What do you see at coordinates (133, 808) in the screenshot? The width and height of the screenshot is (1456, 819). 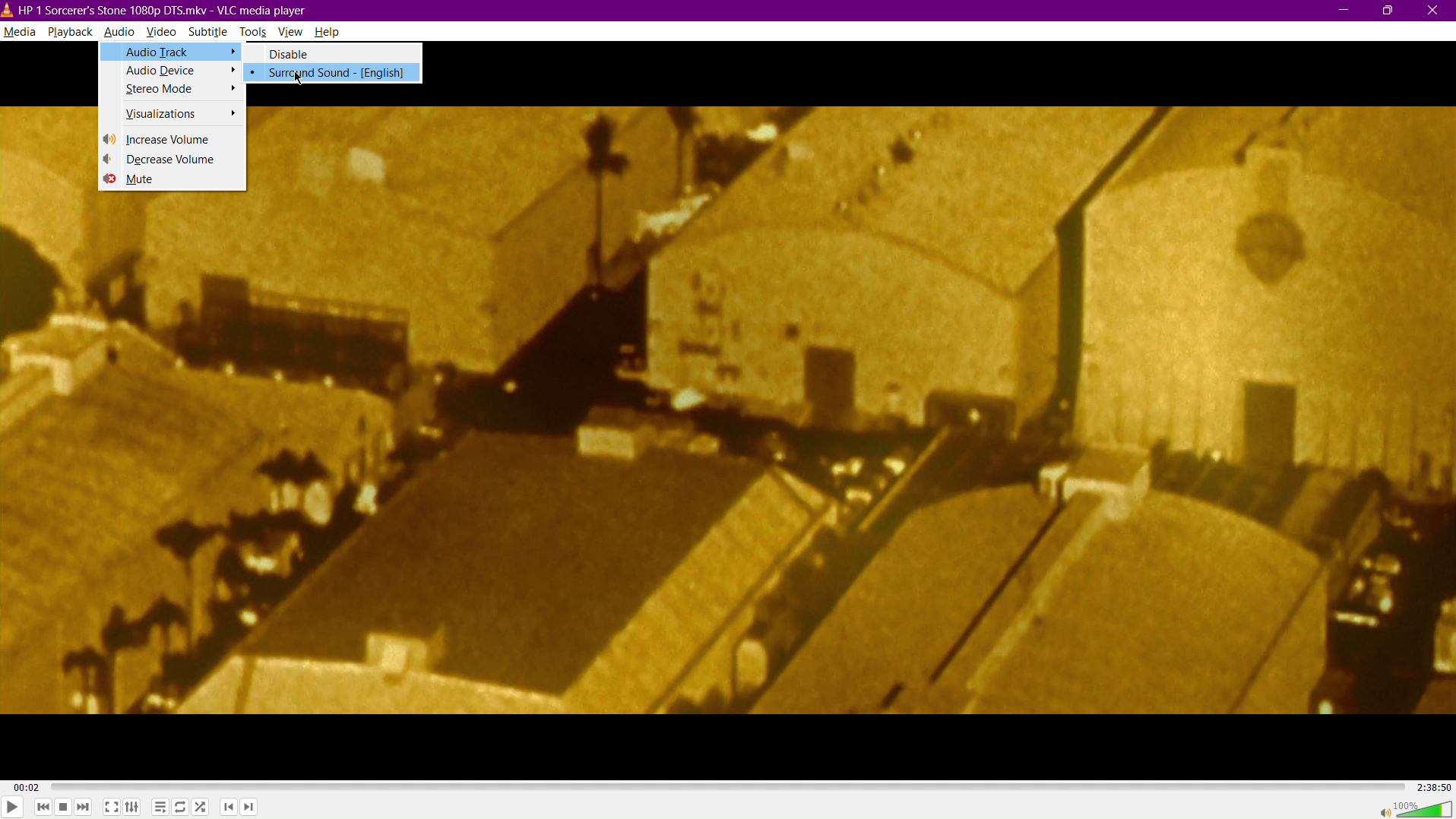 I see `Advanced Settings` at bounding box center [133, 808].